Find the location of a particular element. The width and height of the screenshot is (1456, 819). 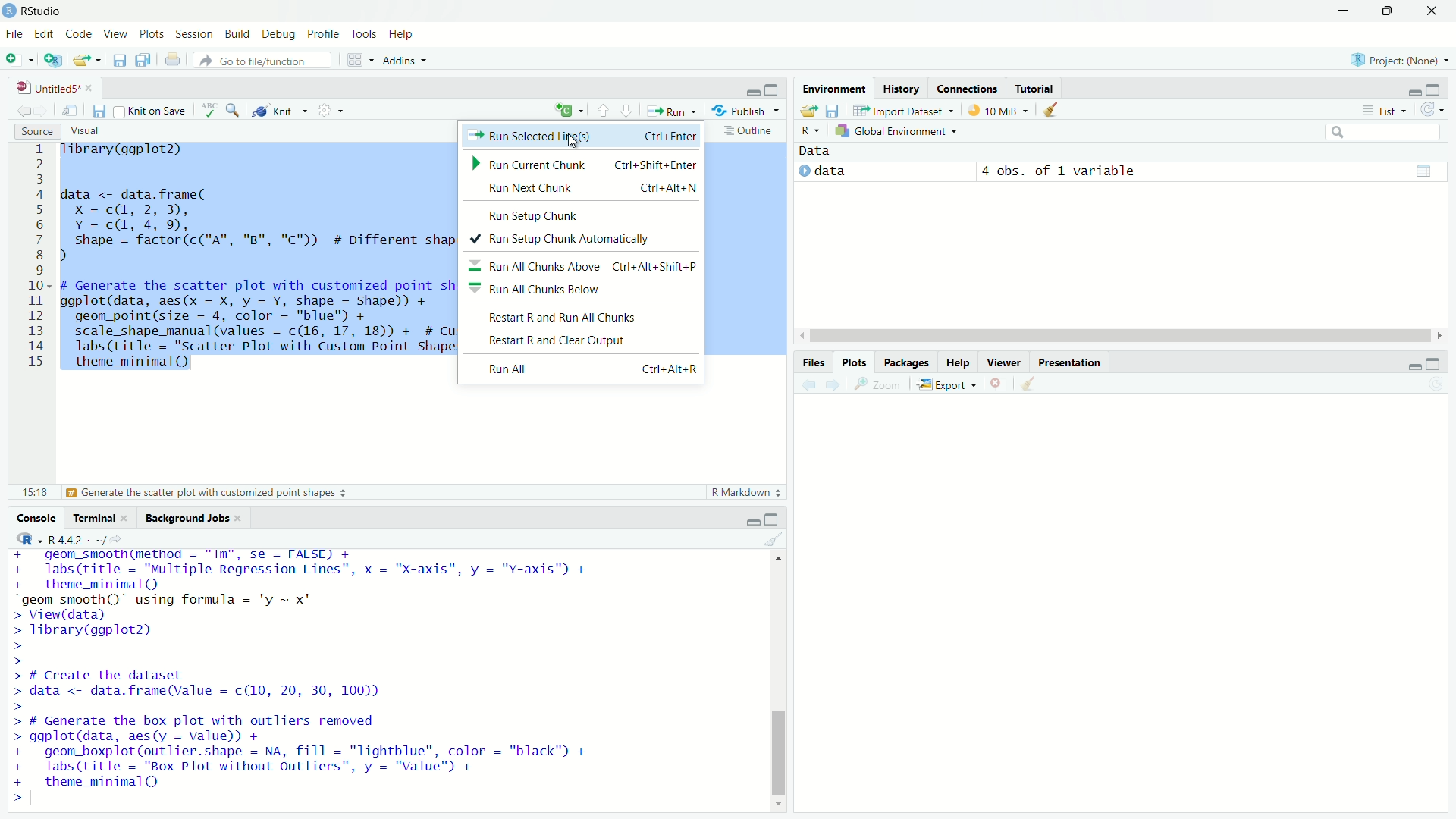

+ geom_smoothime€thod = "Im", se = FALSE) +
+ labs(title = "Multiple Regression Lines", x = "X-axis", y = "Y-axis") +
+  theme_minimal(Q)

“geom_smooth()" using formula = 'y ~ x"

> View(data)

> Tibrary(ggplot2)

>

>

> # Create the dataset

> data <- data.frame(value = c(10, 20, 30, 100))

>

> # Generate the box plot with outliers removed

> ggplot(data, aes(y = value)) +

+ geom_boxplot(outlier.shape = NA, fill = "Tightblue", color = "black" +
+ labs(title = "Box Plot without Outliers”, y = "value") +

+  theme_minimal (QQ

> is located at coordinates (308, 678).